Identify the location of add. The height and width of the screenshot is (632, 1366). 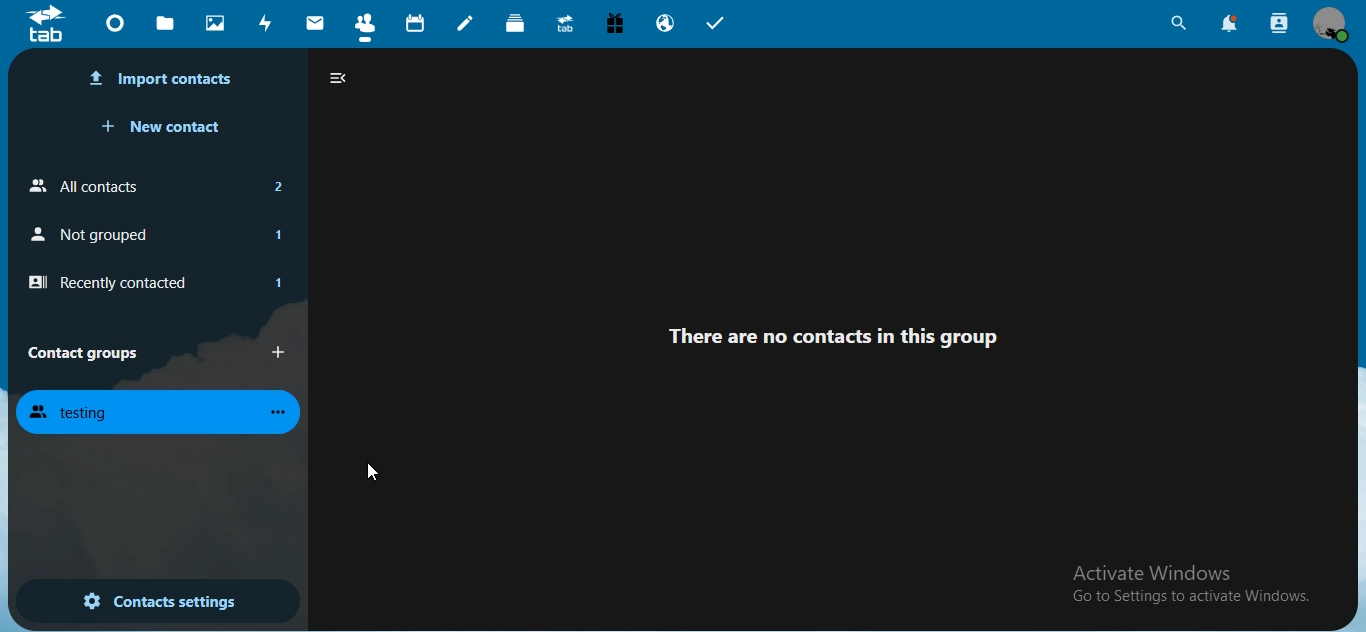
(282, 353).